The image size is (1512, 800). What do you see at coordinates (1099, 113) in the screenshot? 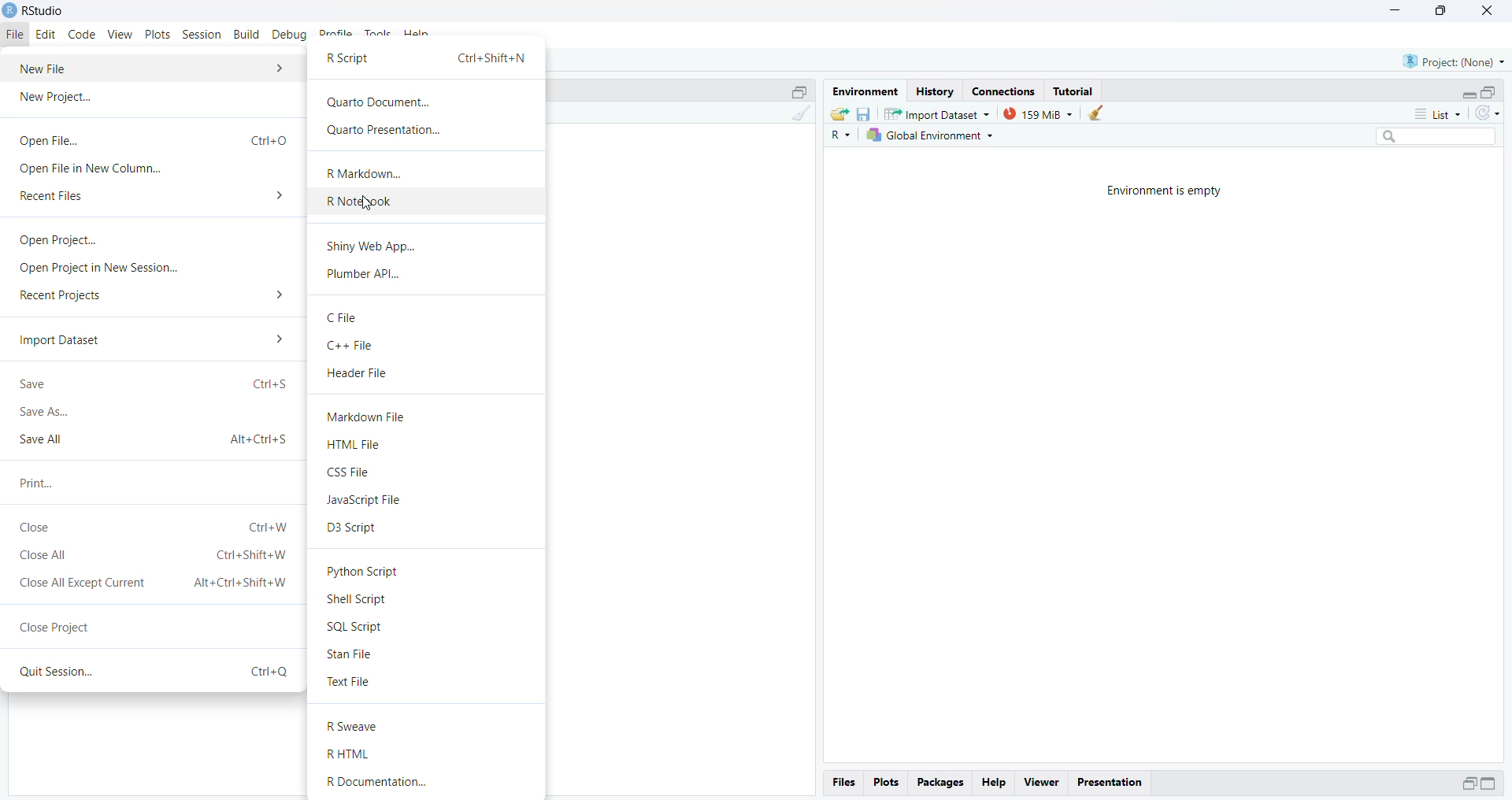
I see `clear object from the workspace` at bounding box center [1099, 113].